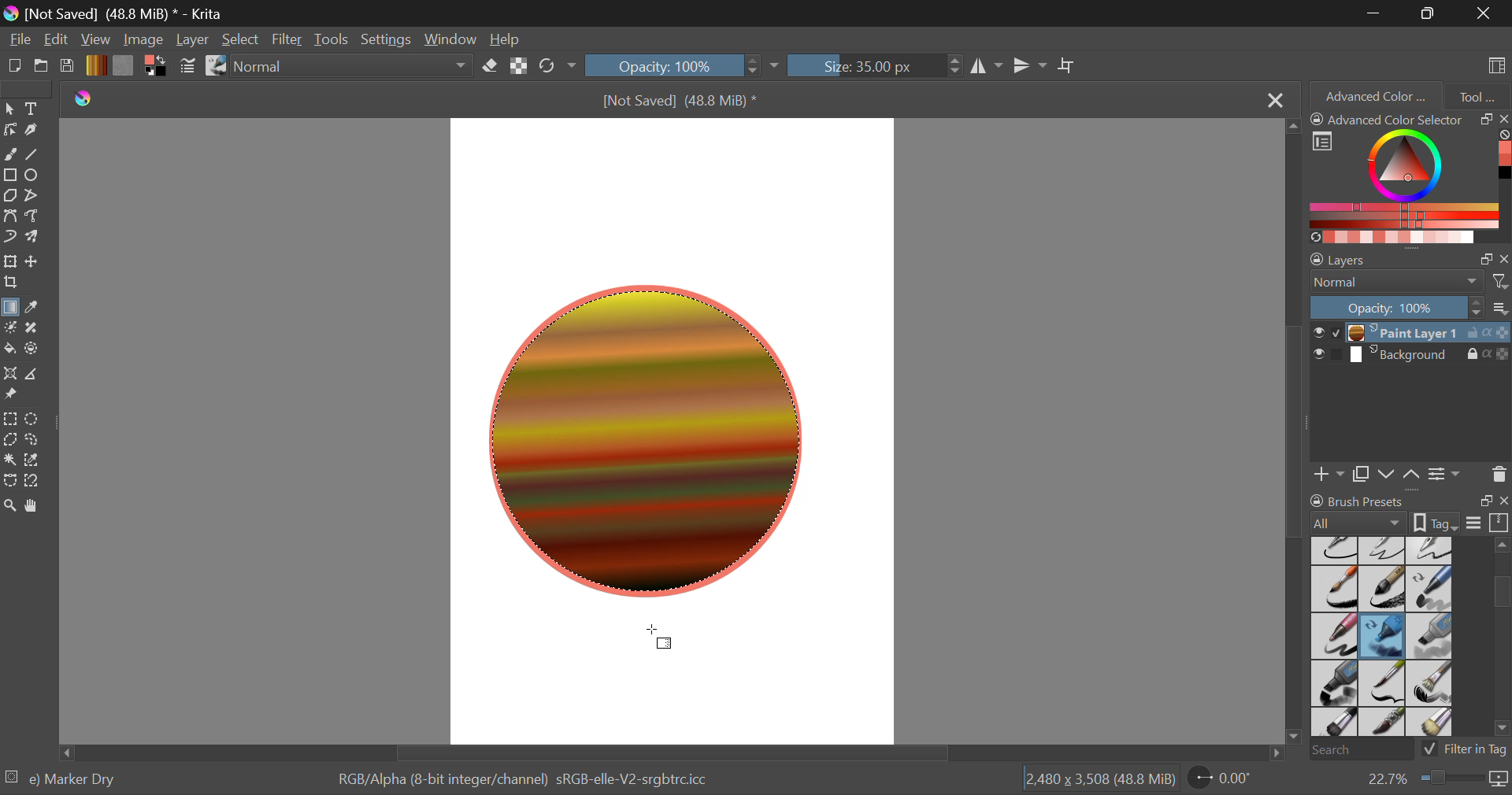  Describe the element at coordinates (123, 65) in the screenshot. I see `Texture` at that location.